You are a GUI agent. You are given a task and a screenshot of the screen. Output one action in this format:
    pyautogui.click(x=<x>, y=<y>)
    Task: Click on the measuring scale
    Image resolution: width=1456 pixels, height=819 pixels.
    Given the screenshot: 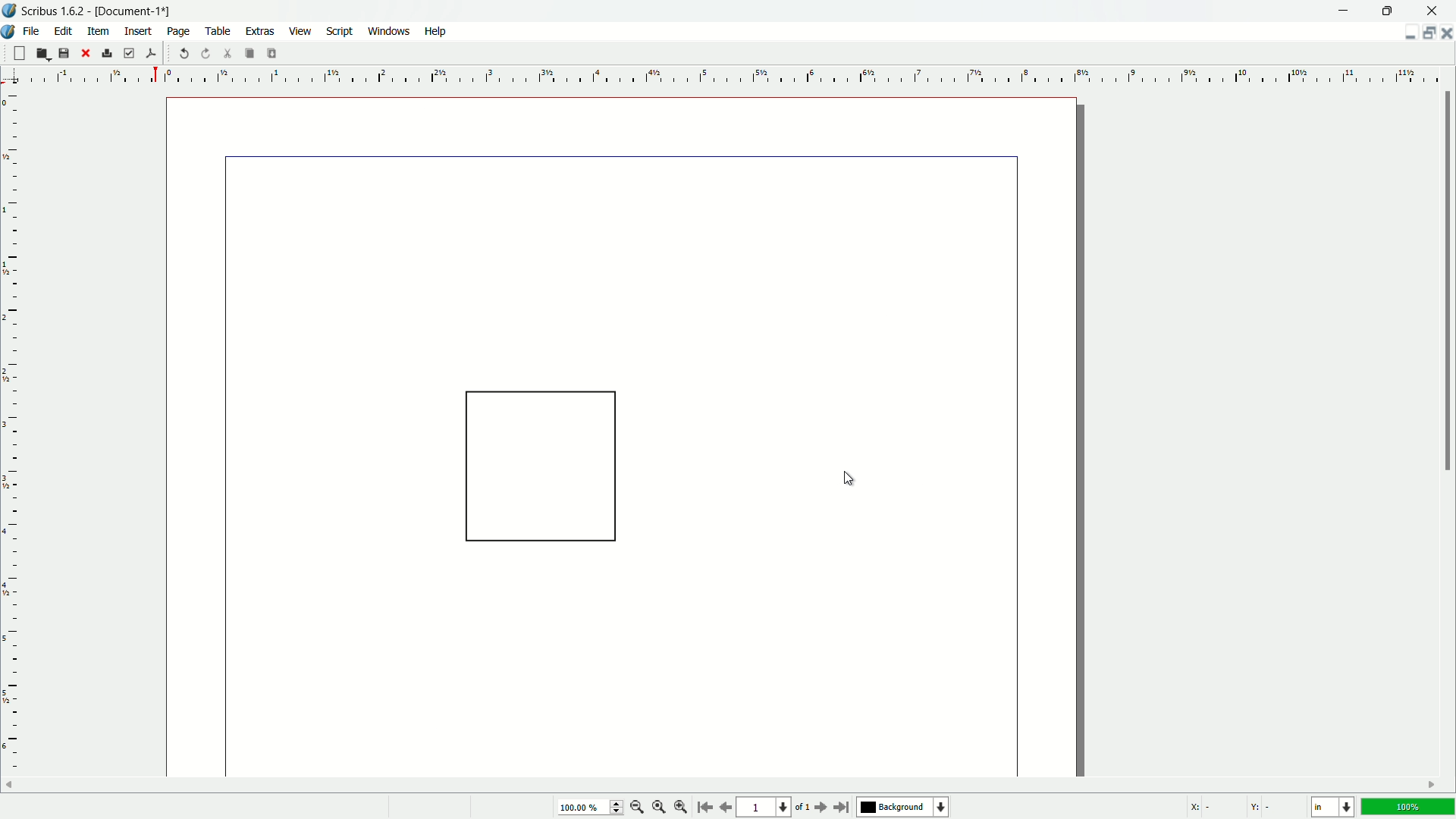 What is the action you would take?
    pyautogui.click(x=15, y=421)
    